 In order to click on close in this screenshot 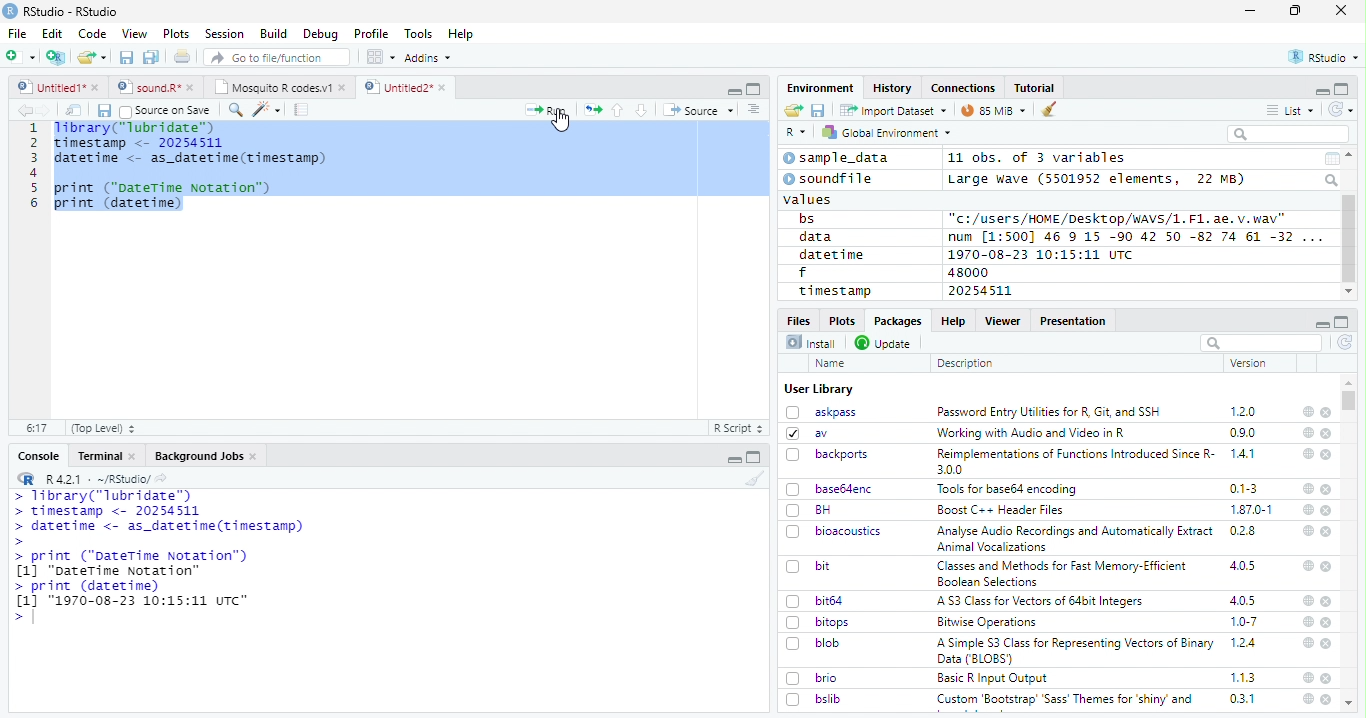, I will do `click(1327, 623)`.